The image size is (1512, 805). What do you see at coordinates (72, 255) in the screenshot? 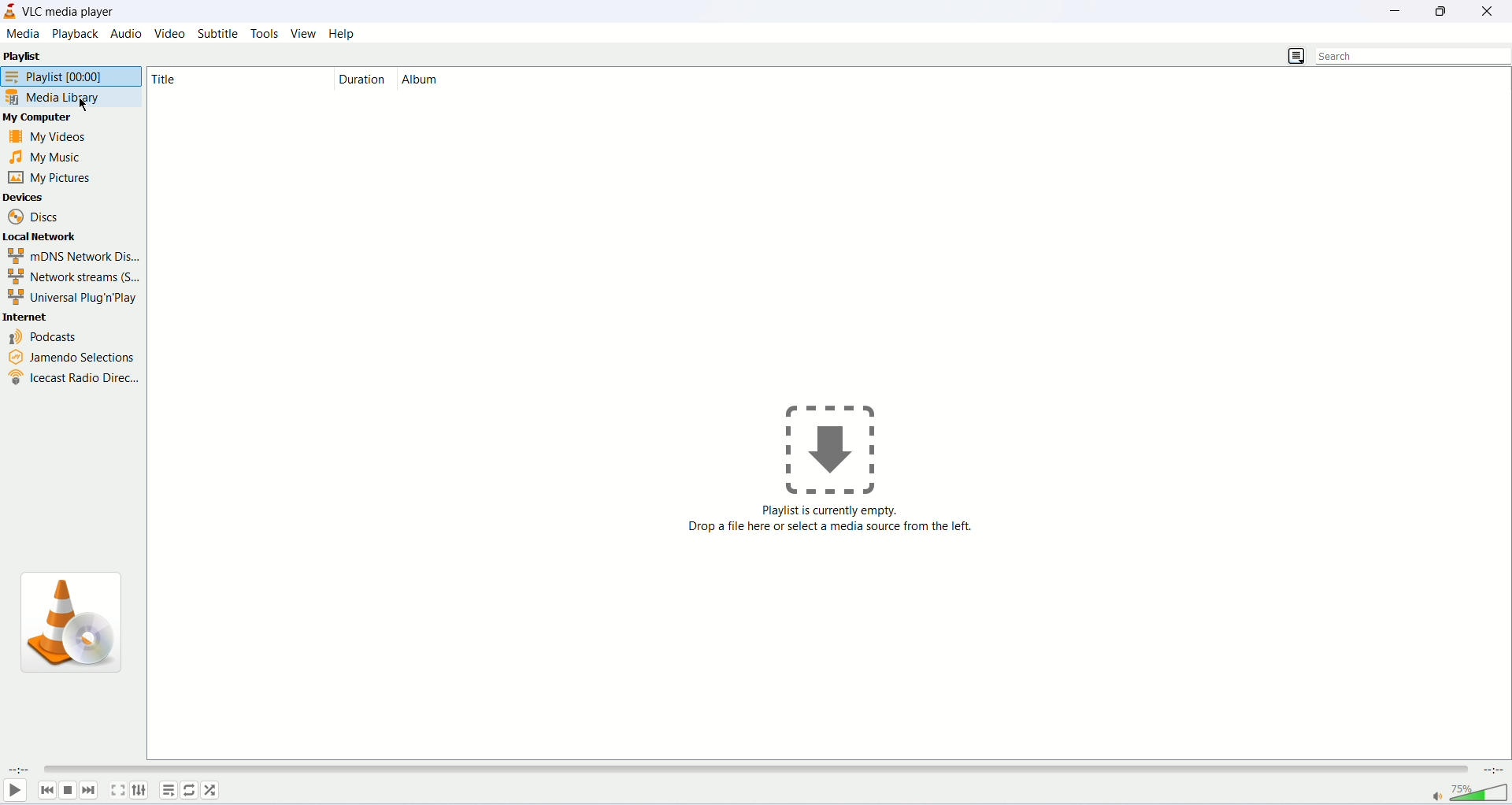
I see `mDNS Network` at bounding box center [72, 255].